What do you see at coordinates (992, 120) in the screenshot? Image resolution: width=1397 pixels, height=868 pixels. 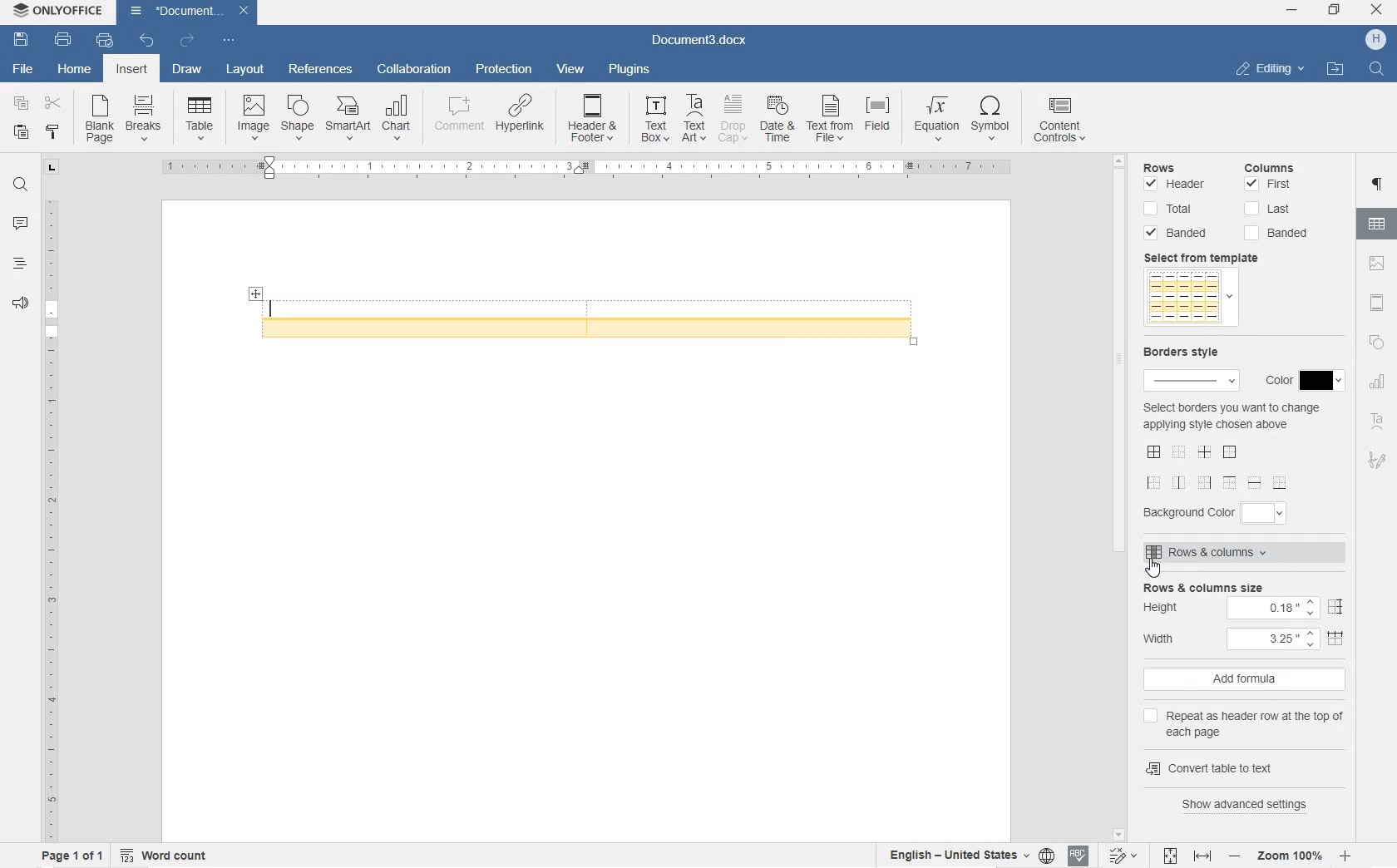 I see `symbol` at bounding box center [992, 120].